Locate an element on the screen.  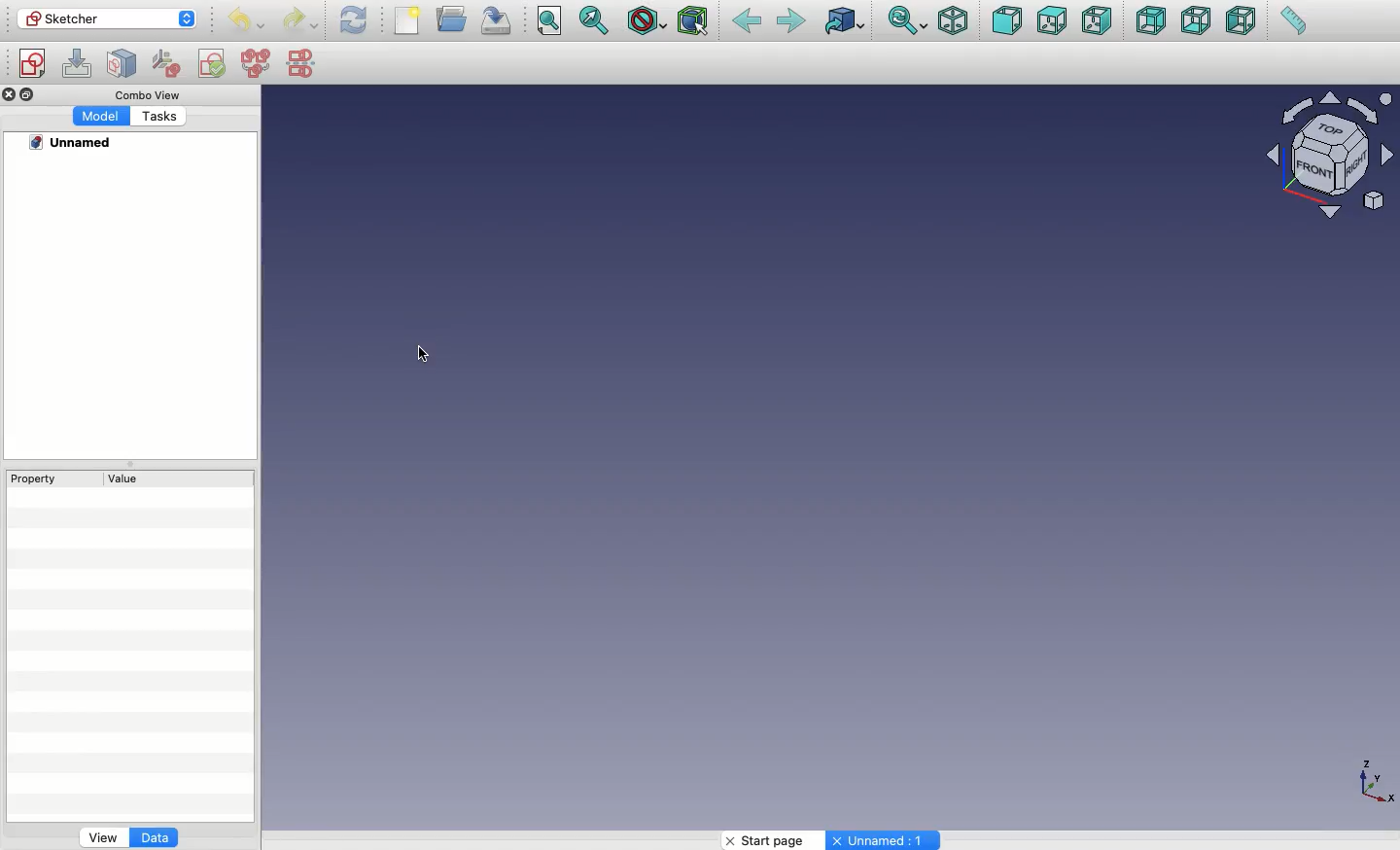
Redo is located at coordinates (299, 21).